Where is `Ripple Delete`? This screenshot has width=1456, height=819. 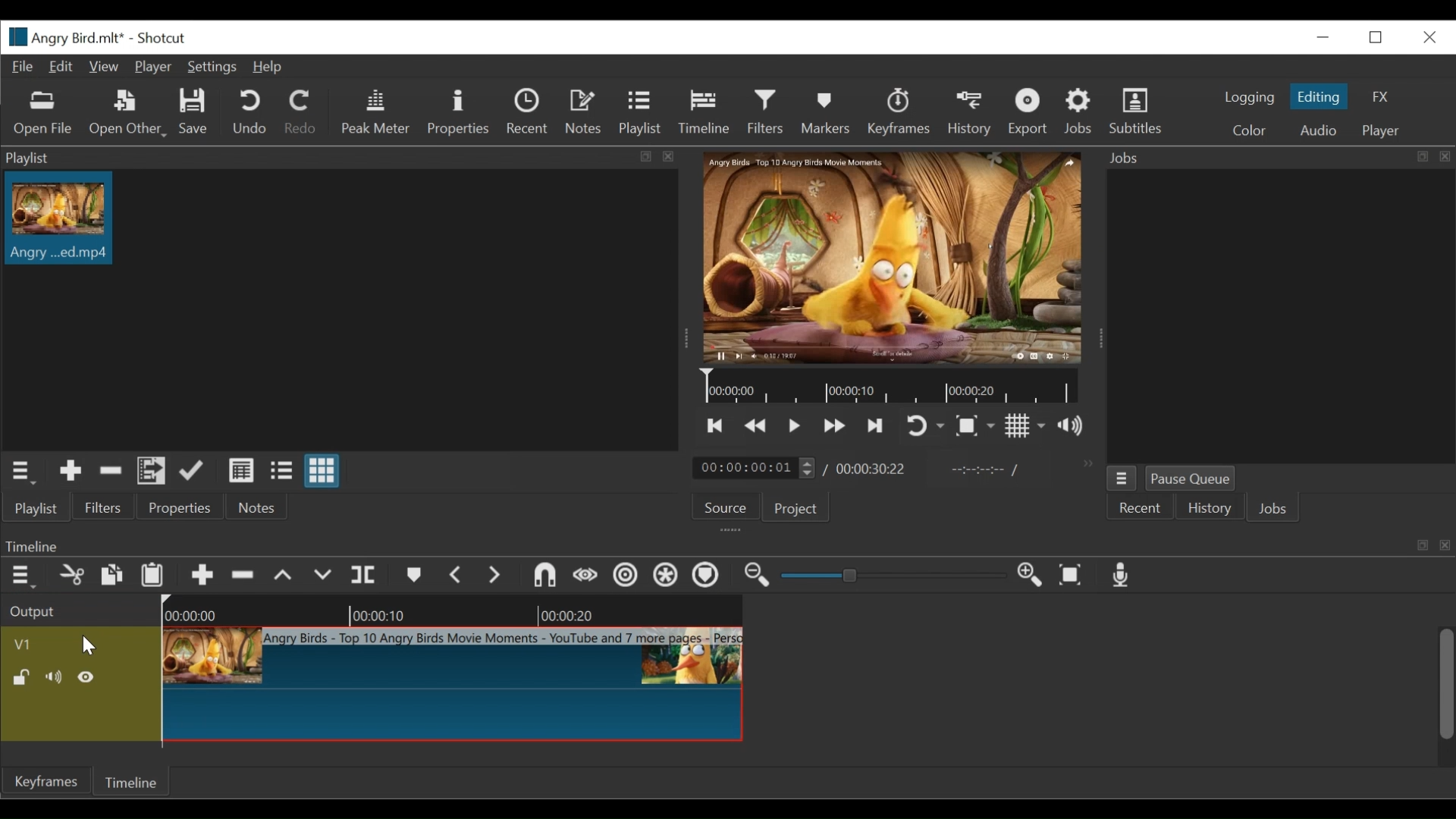 Ripple Delete is located at coordinates (245, 576).